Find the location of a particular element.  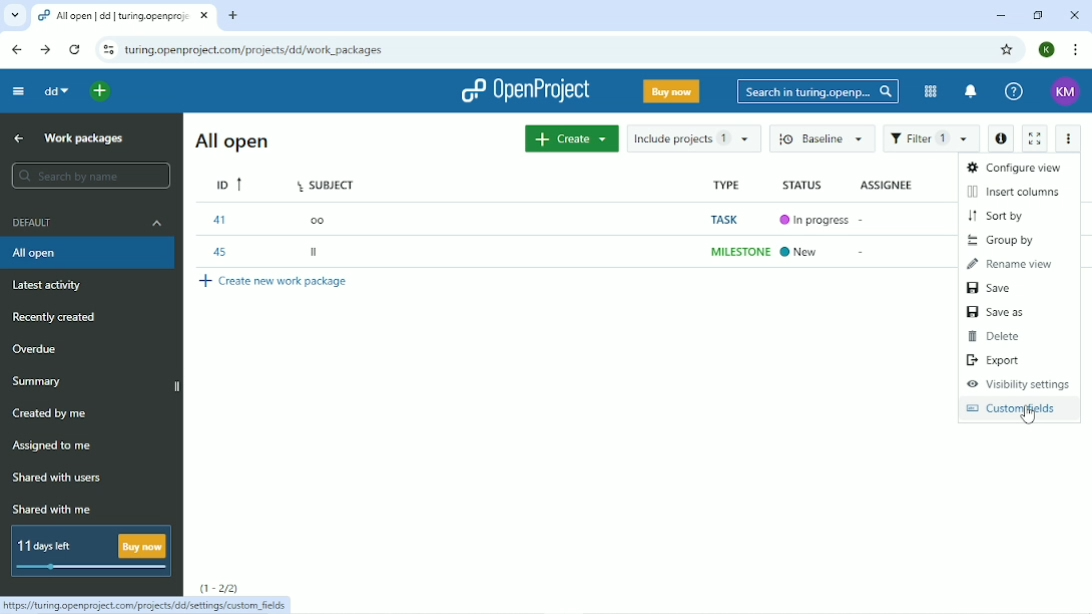

(1-2/2) is located at coordinates (220, 587).